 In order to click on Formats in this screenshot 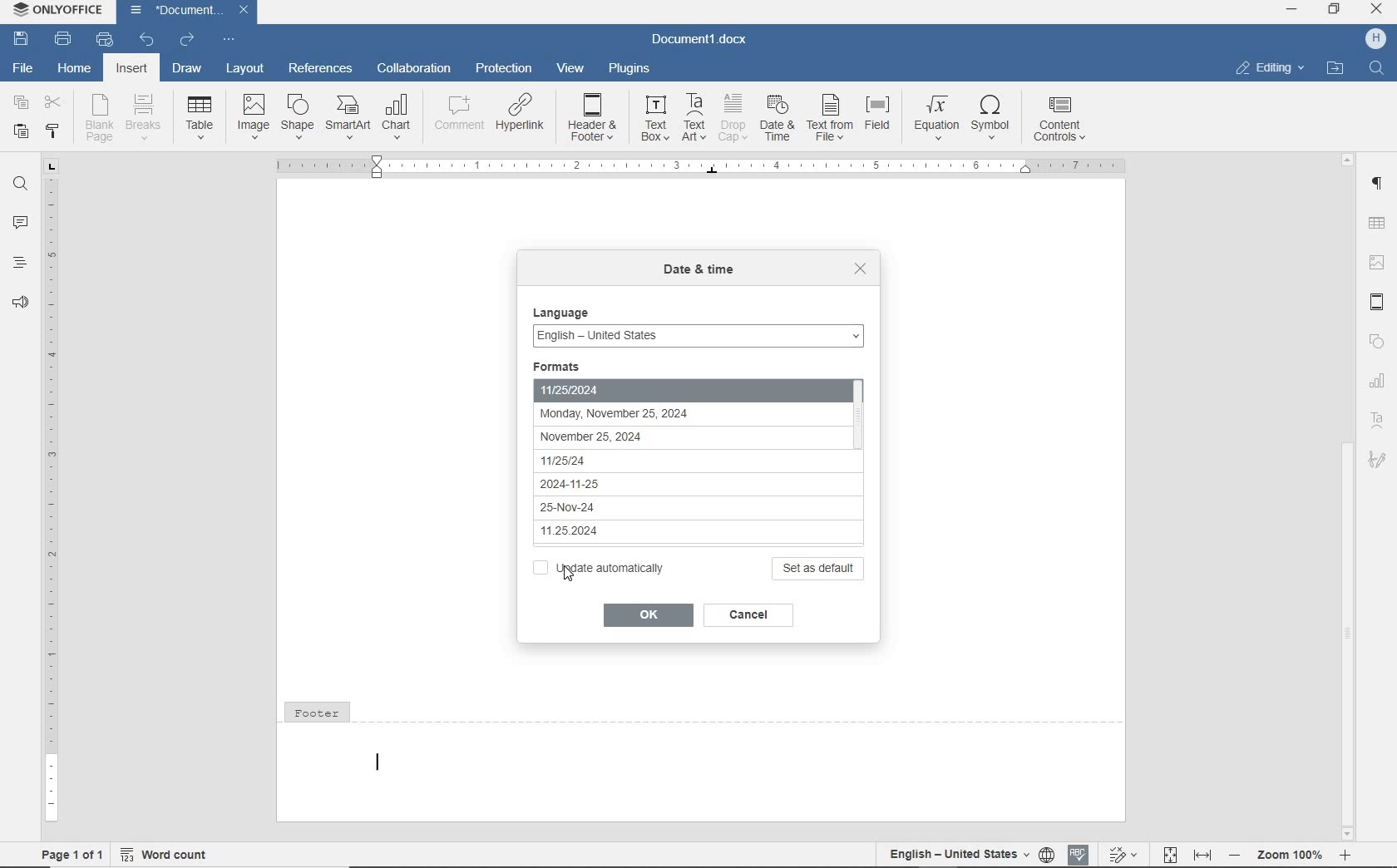, I will do `click(573, 364)`.